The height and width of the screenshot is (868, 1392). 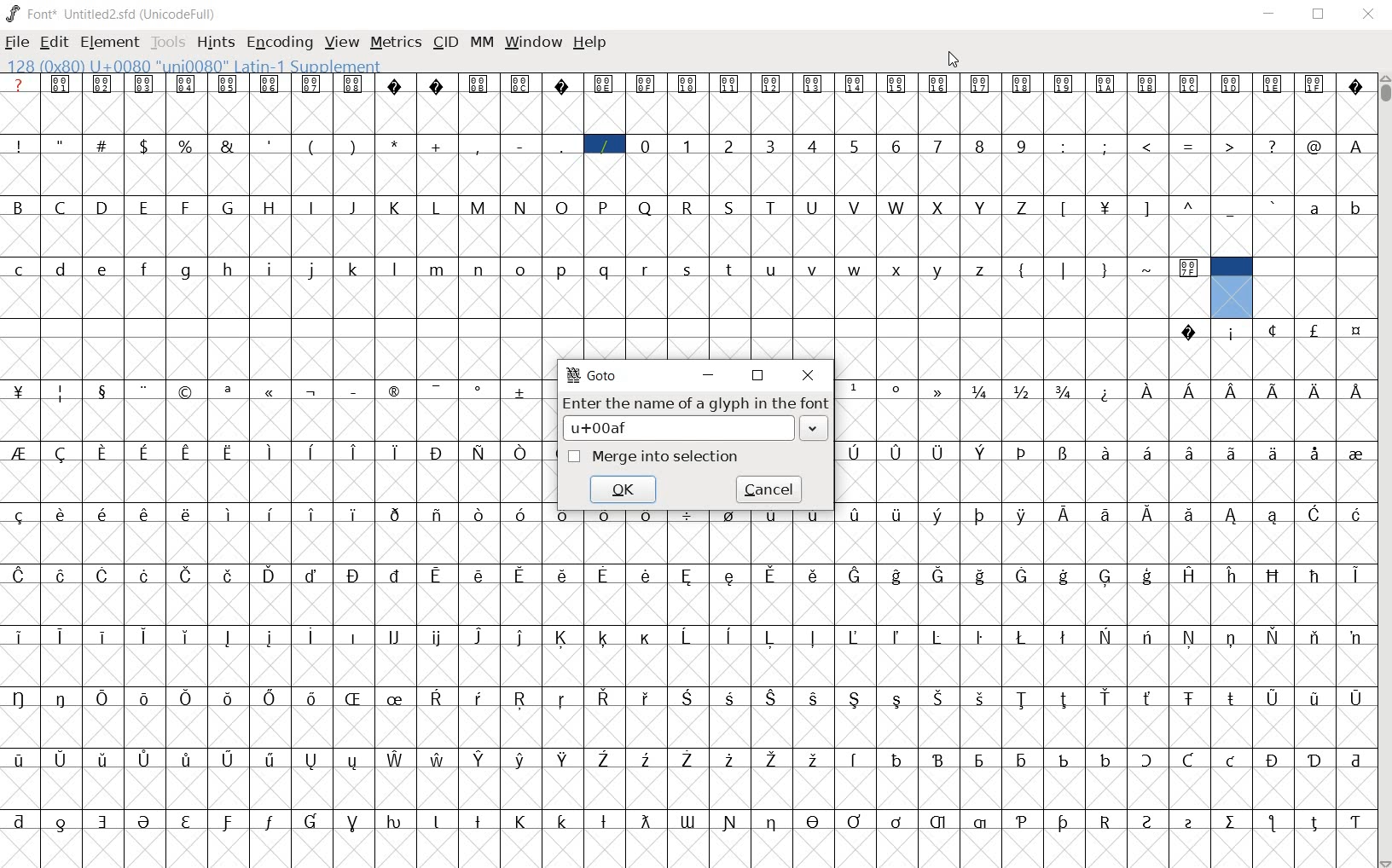 What do you see at coordinates (815, 574) in the screenshot?
I see `Symbol` at bounding box center [815, 574].